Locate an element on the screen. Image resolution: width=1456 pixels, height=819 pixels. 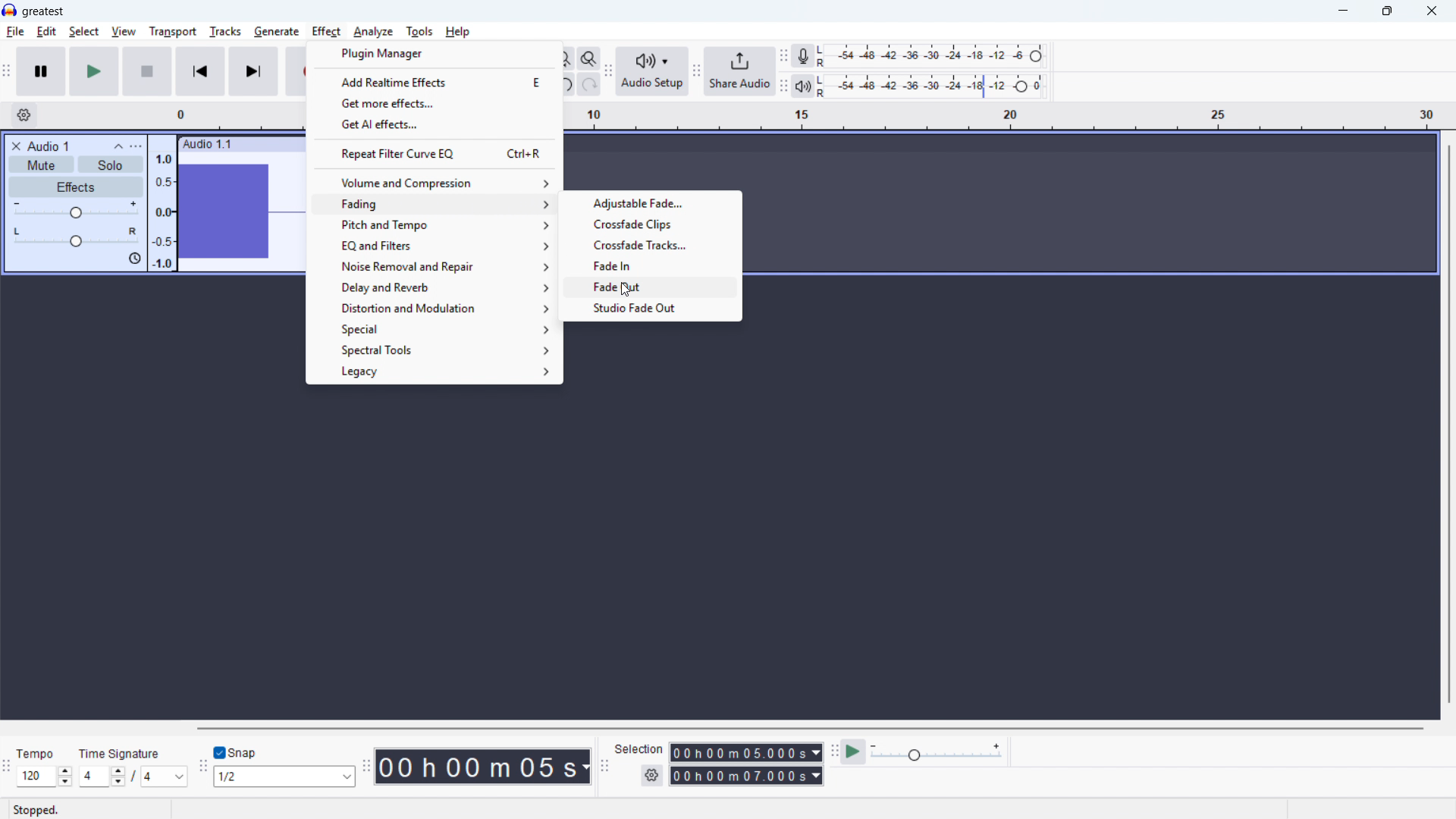
Set time signature  is located at coordinates (134, 777).